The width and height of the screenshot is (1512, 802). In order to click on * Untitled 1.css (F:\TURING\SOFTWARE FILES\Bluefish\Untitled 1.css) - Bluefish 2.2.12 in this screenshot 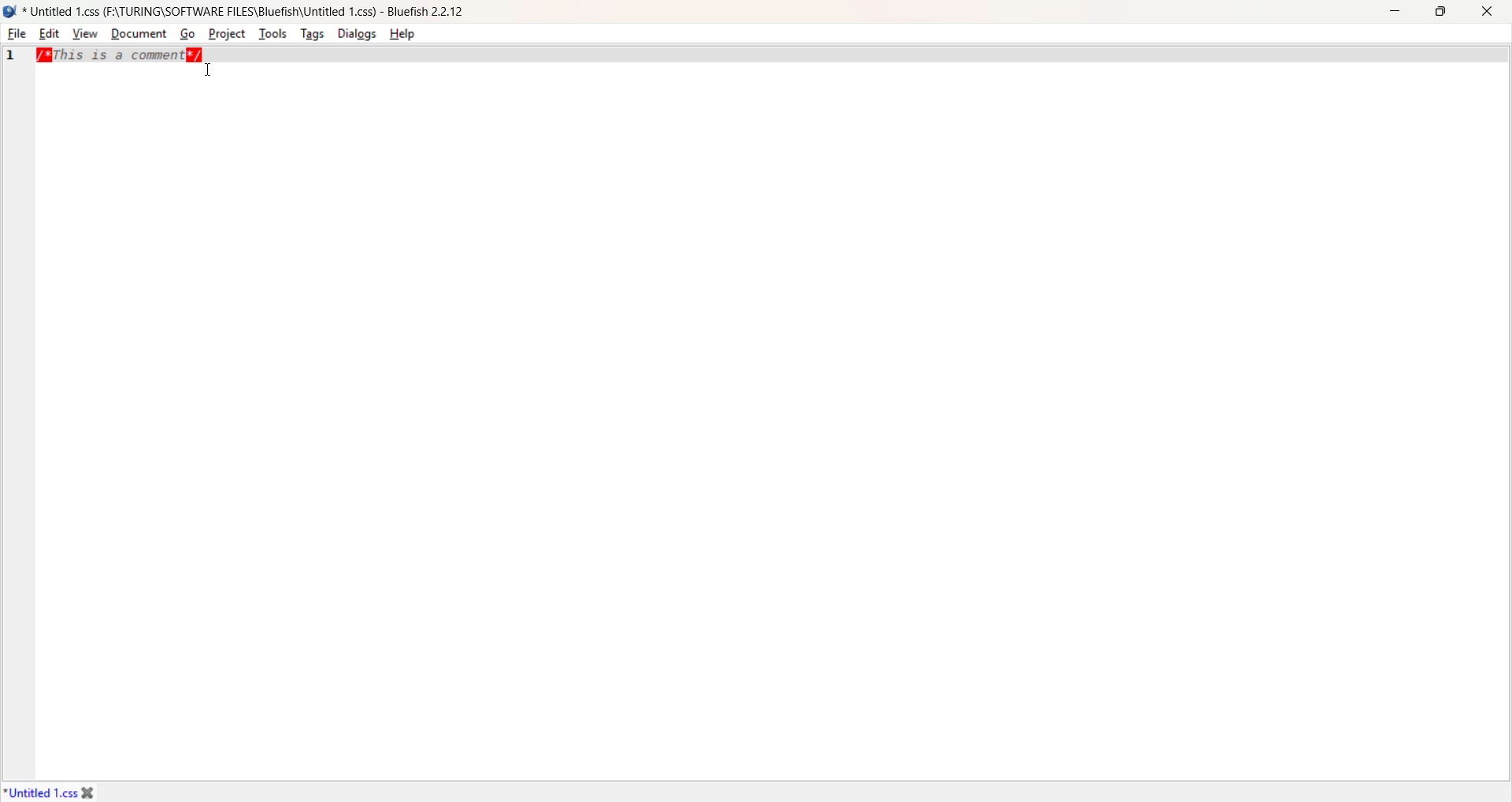, I will do `click(246, 11)`.